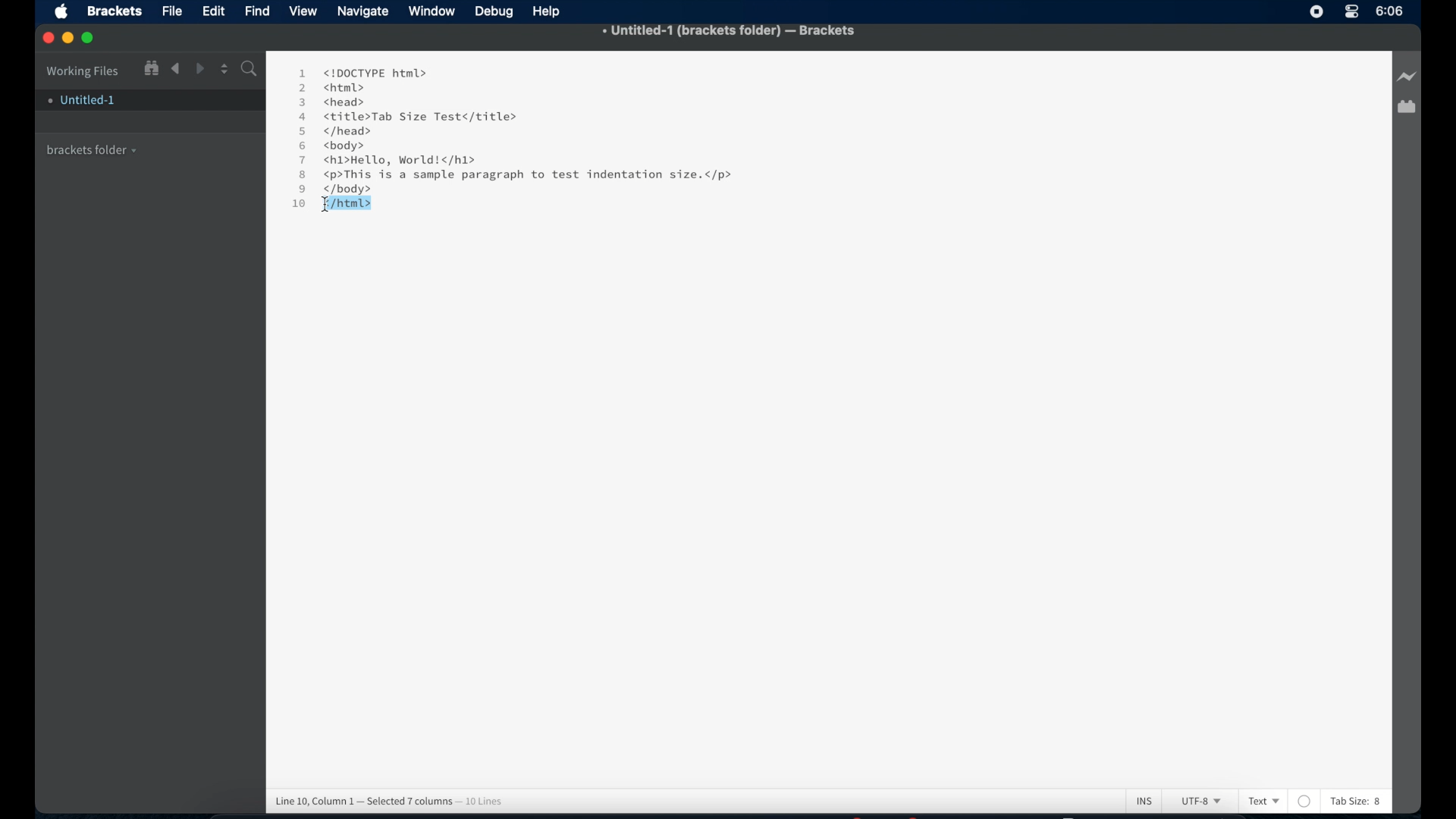 This screenshot has width=1456, height=819. What do you see at coordinates (71, 38) in the screenshot?
I see `Minimize` at bounding box center [71, 38].